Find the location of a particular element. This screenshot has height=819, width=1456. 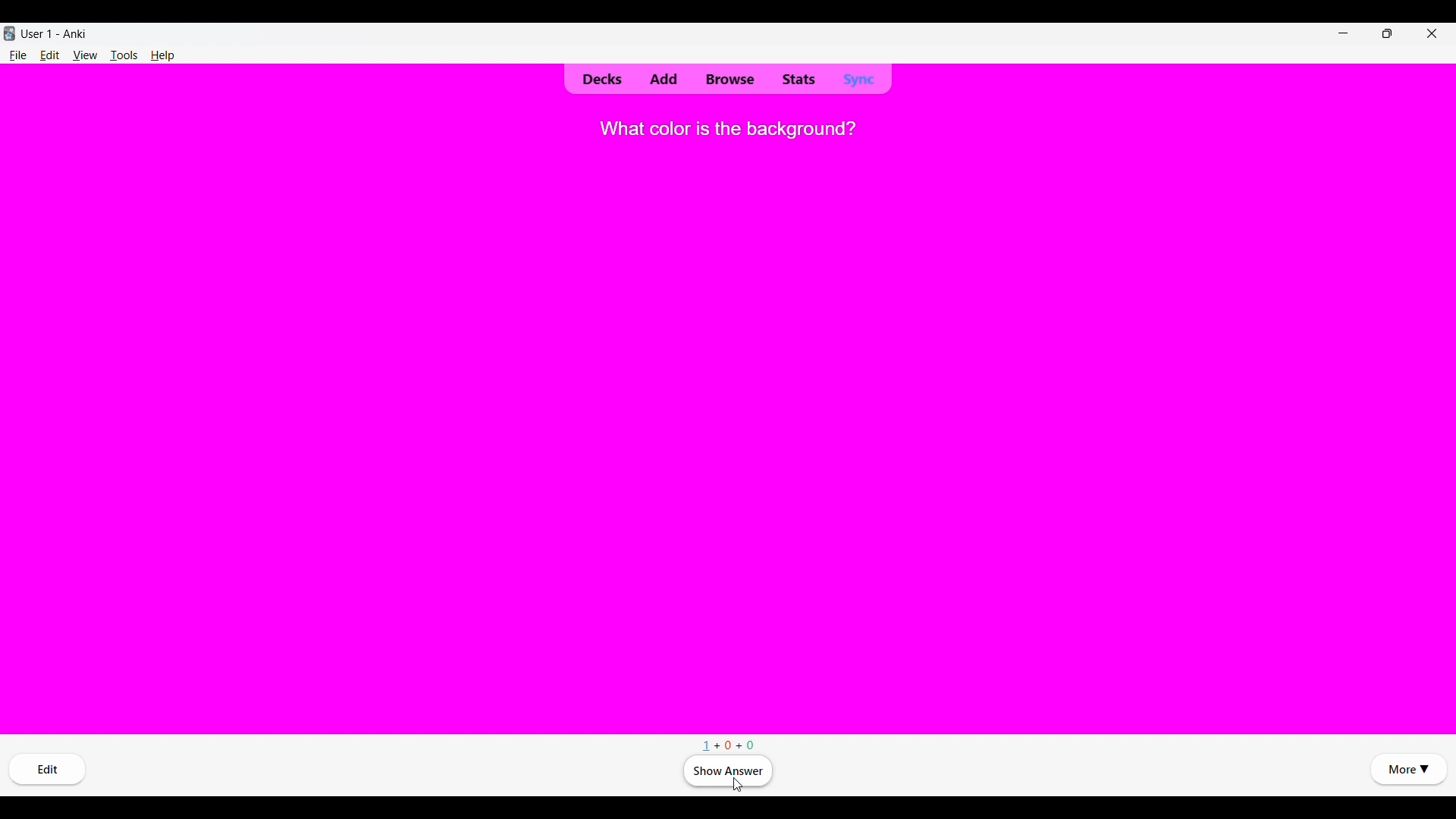

Edit card is located at coordinates (47, 769).